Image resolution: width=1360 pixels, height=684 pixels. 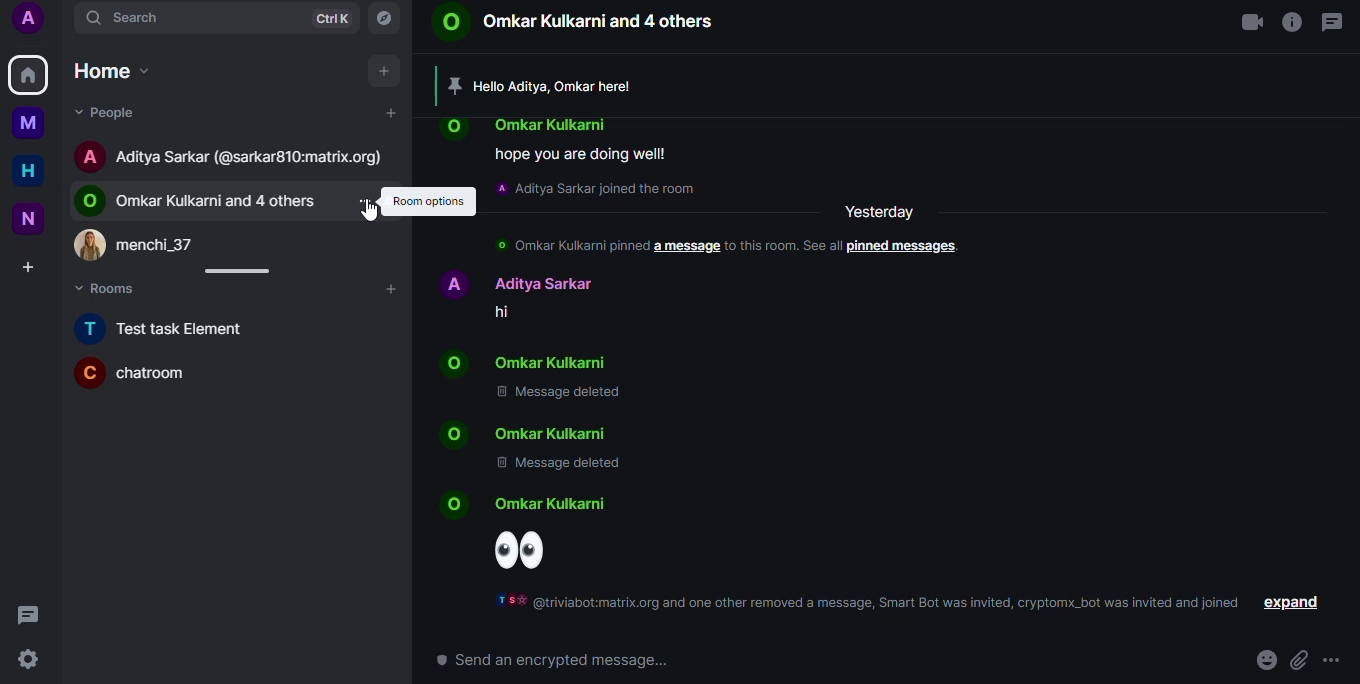 I want to click on room options, so click(x=370, y=202).